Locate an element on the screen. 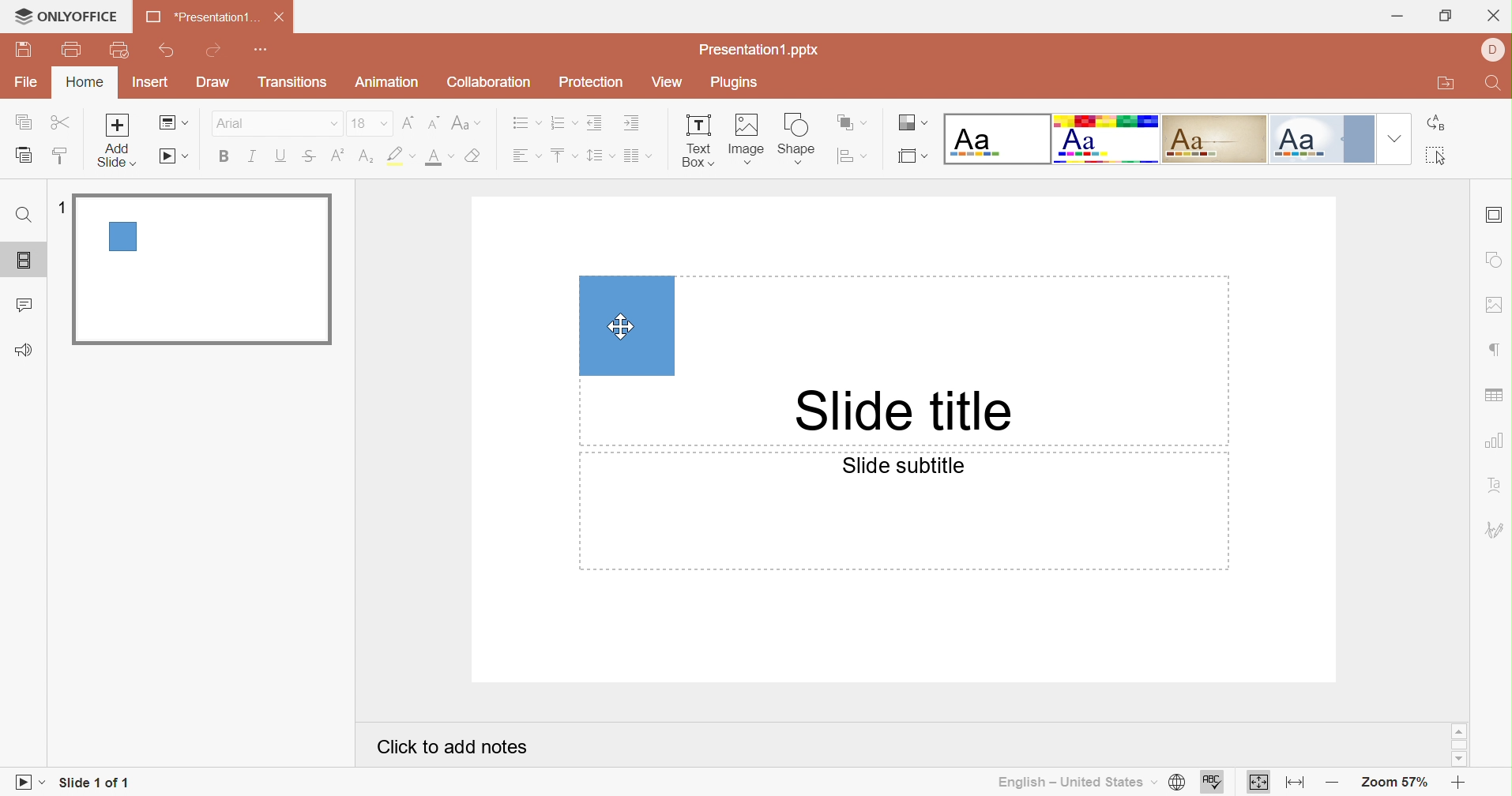 The image size is (1512, 796). File is located at coordinates (28, 80).